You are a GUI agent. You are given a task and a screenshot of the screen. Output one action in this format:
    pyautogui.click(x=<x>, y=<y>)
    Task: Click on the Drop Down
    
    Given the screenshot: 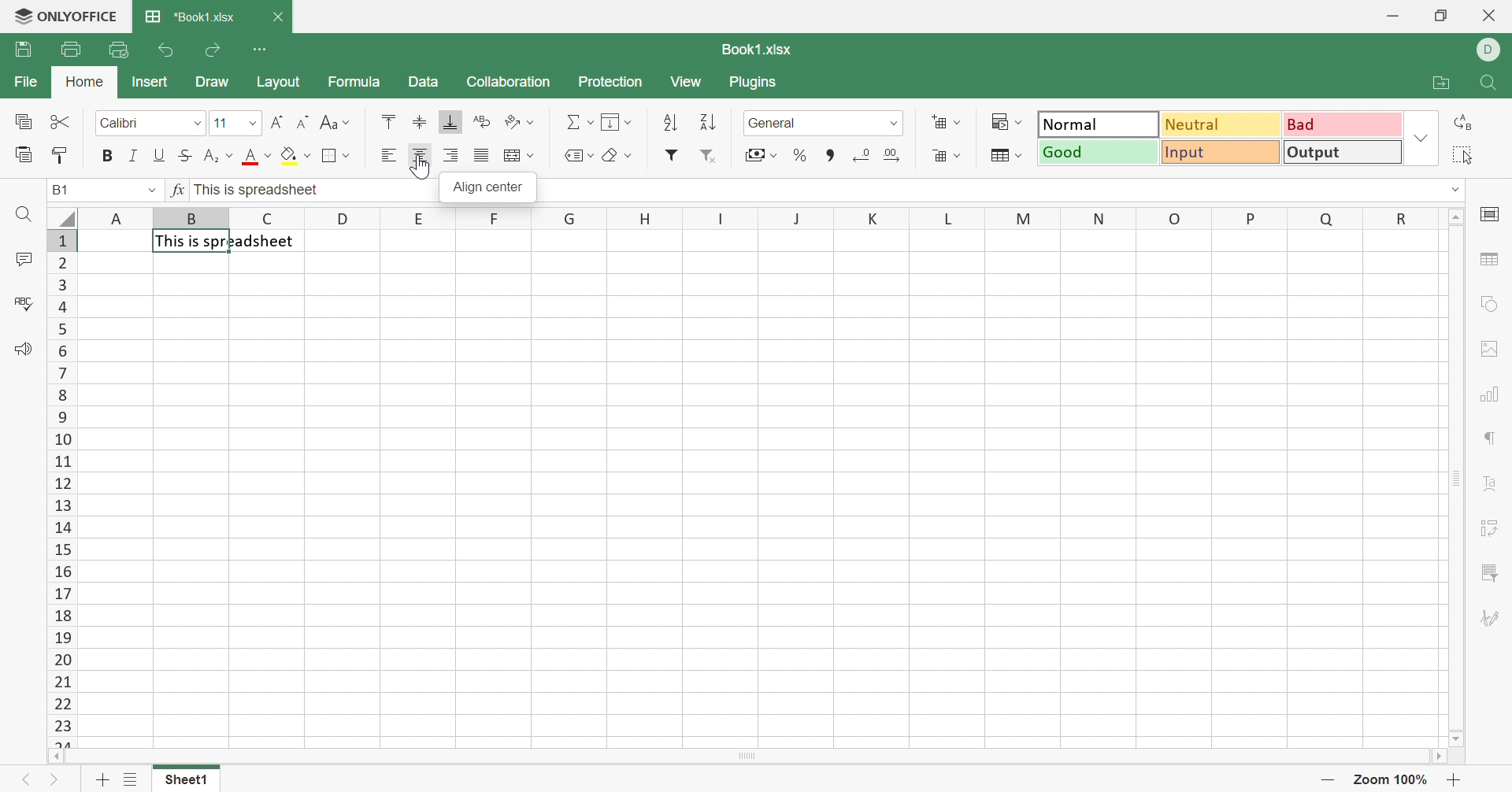 What is the action you would take?
    pyautogui.click(x=958, y=124)
    